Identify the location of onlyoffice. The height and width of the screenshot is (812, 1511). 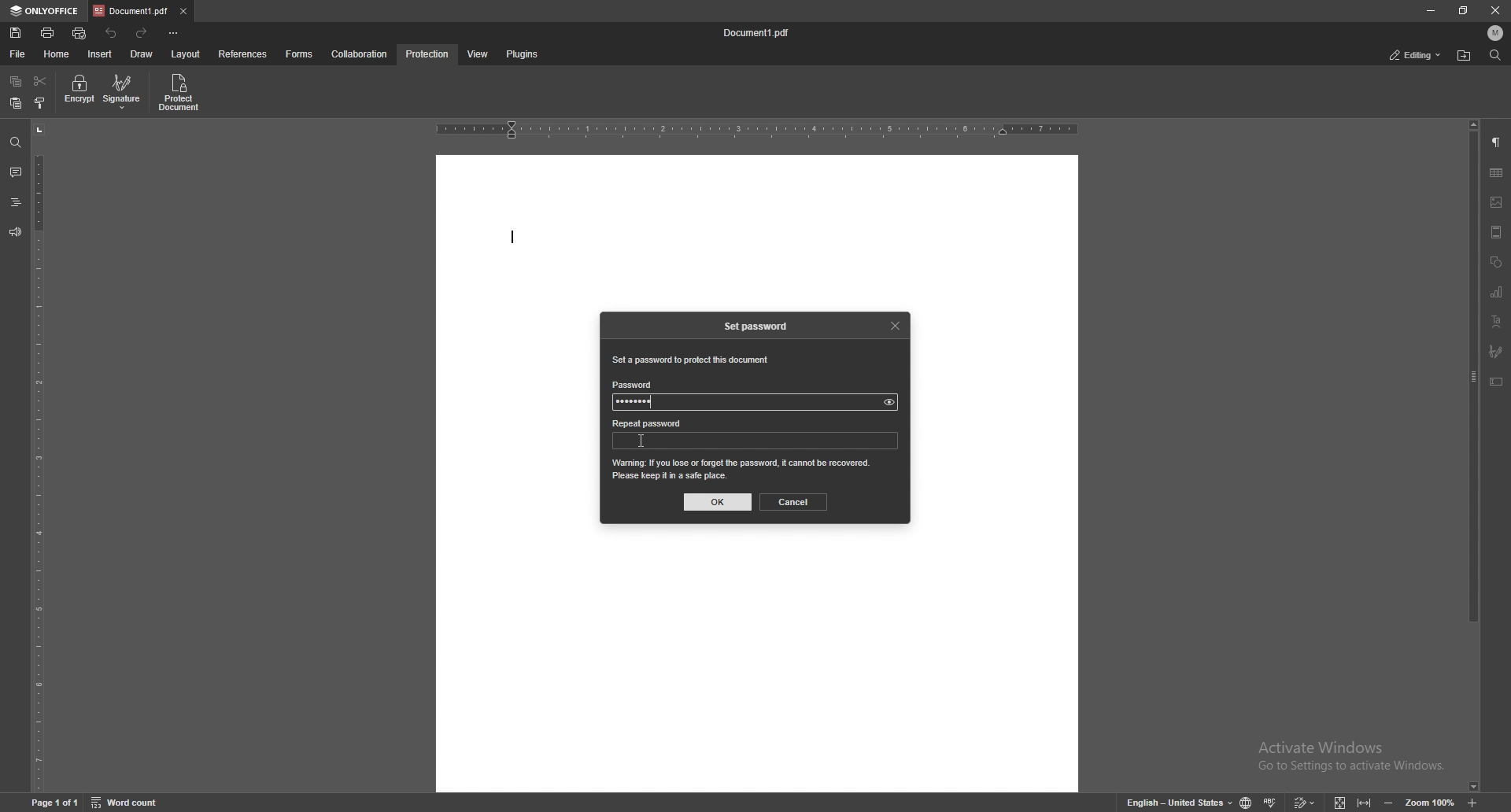
(43, 11).